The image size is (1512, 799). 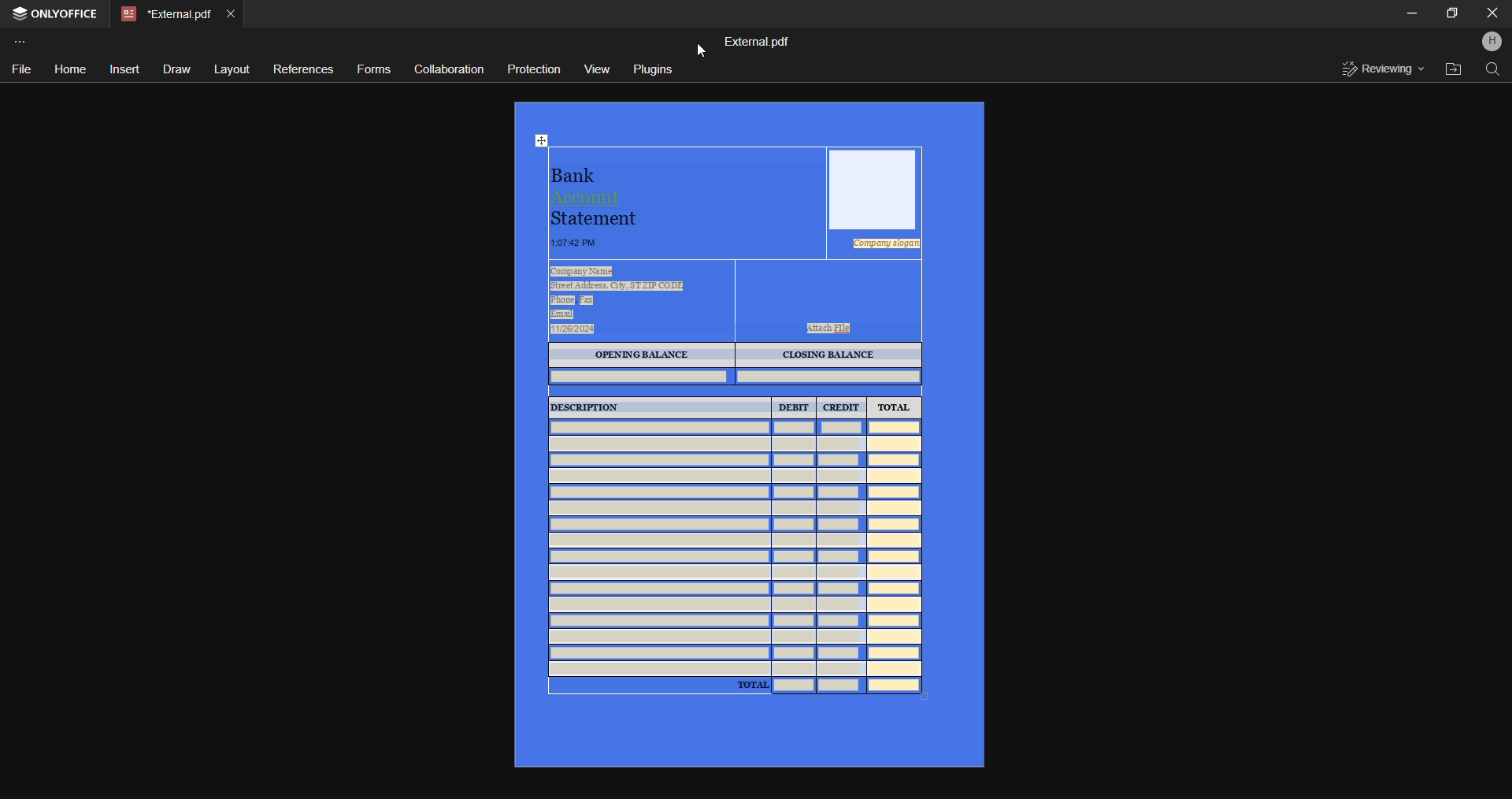 I want to click on Close, so click(x=1492, y=13).